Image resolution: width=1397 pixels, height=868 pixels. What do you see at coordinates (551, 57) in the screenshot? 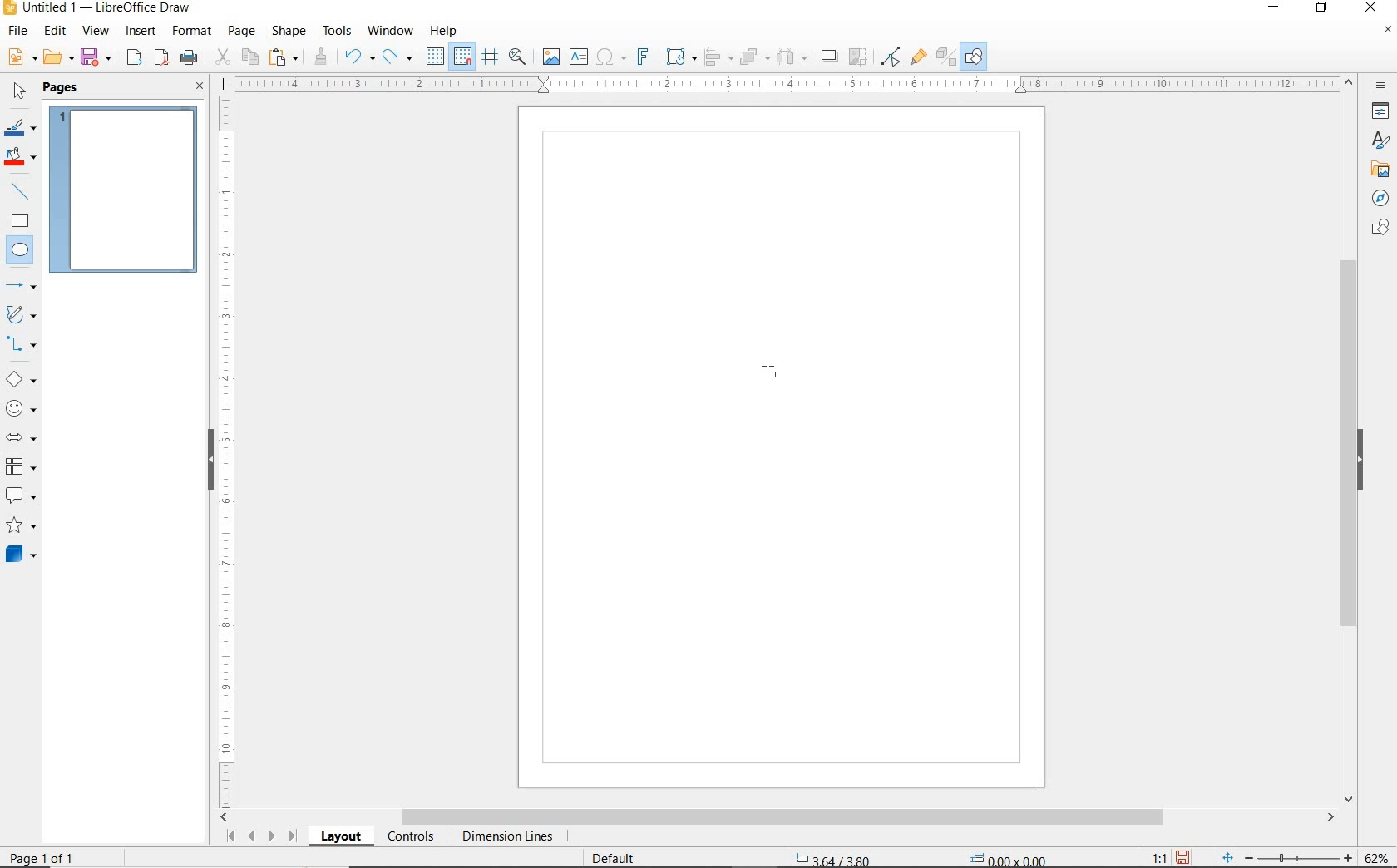
I see `INSERT IMAGE` at bounding box center [551, 57].